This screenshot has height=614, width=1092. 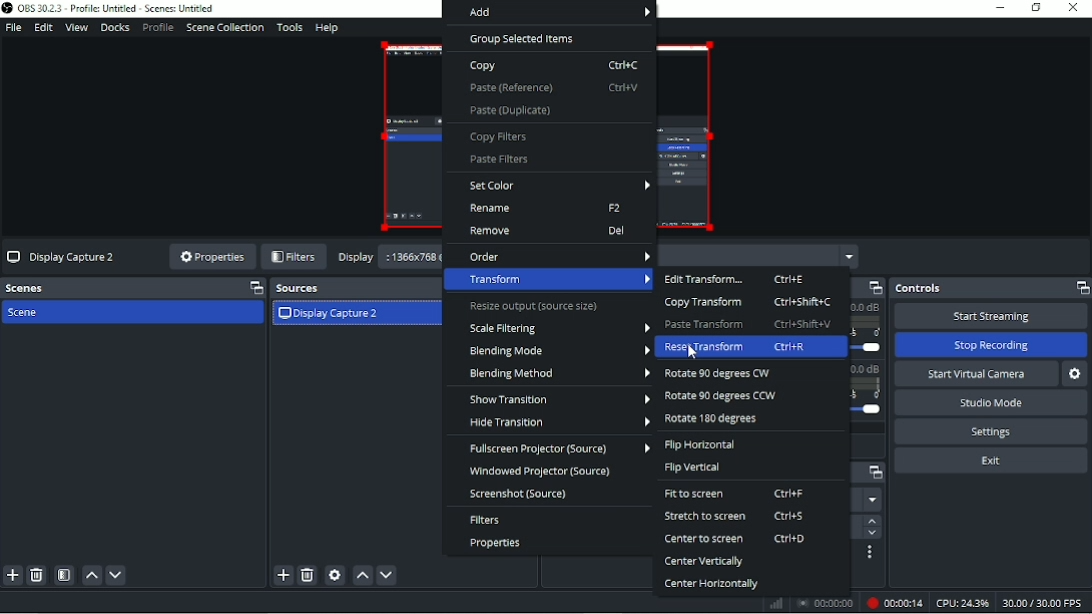 I want to click on Rotate 180 degrees, so click(x=714, y=420).